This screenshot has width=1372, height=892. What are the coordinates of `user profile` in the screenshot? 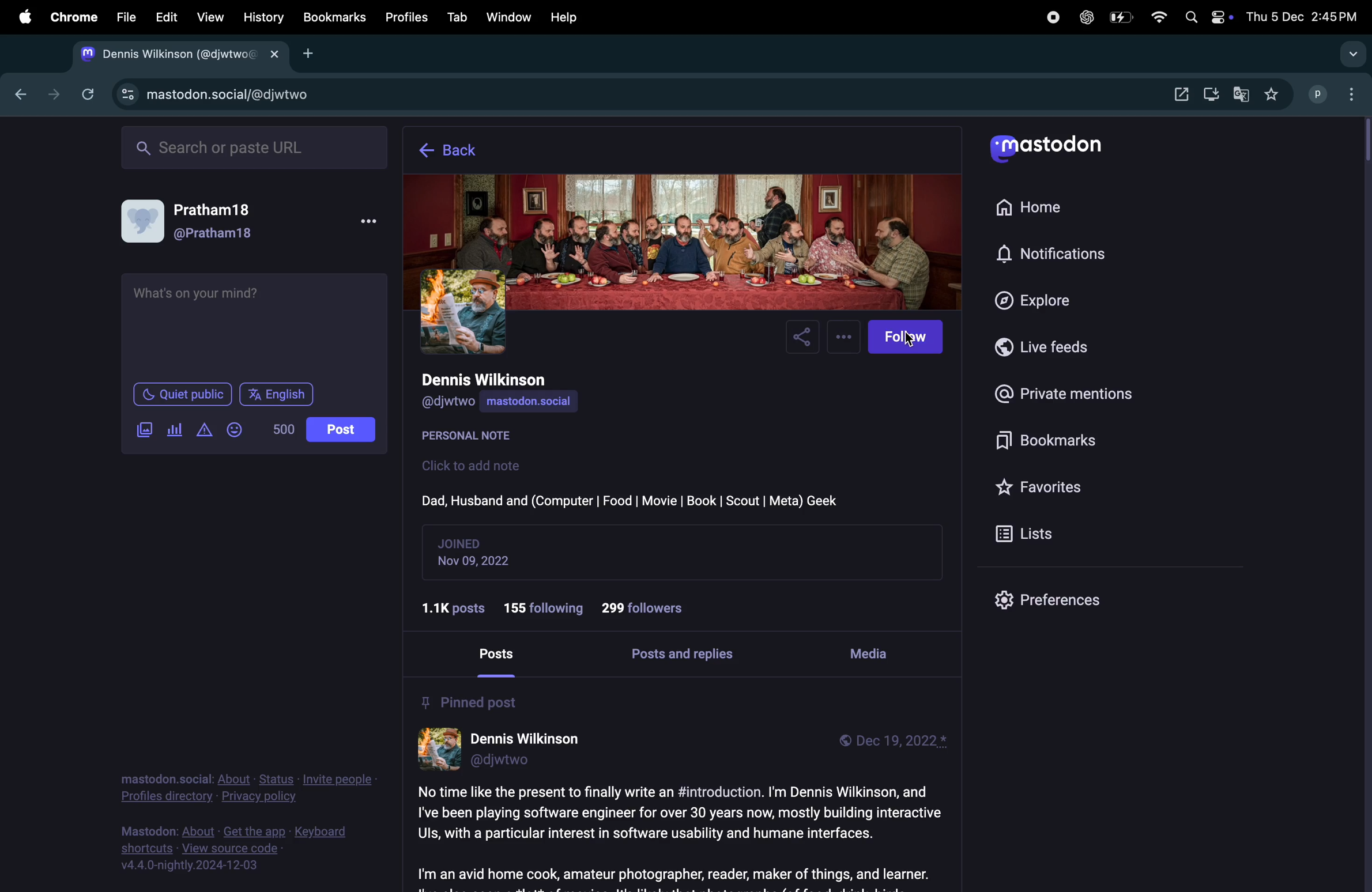 It's located at (510, 751).